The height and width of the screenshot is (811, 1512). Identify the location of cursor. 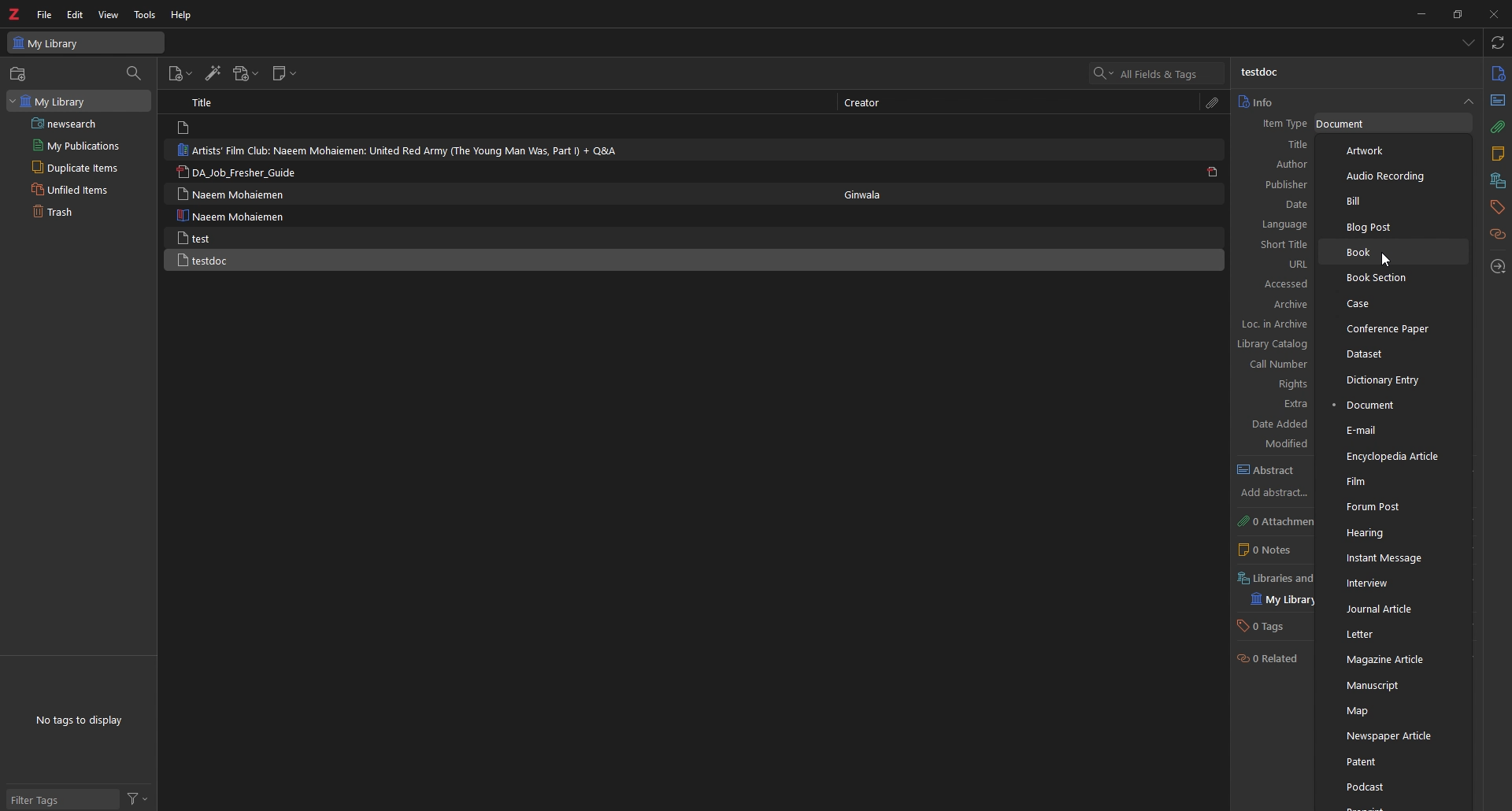
(1388, 259).